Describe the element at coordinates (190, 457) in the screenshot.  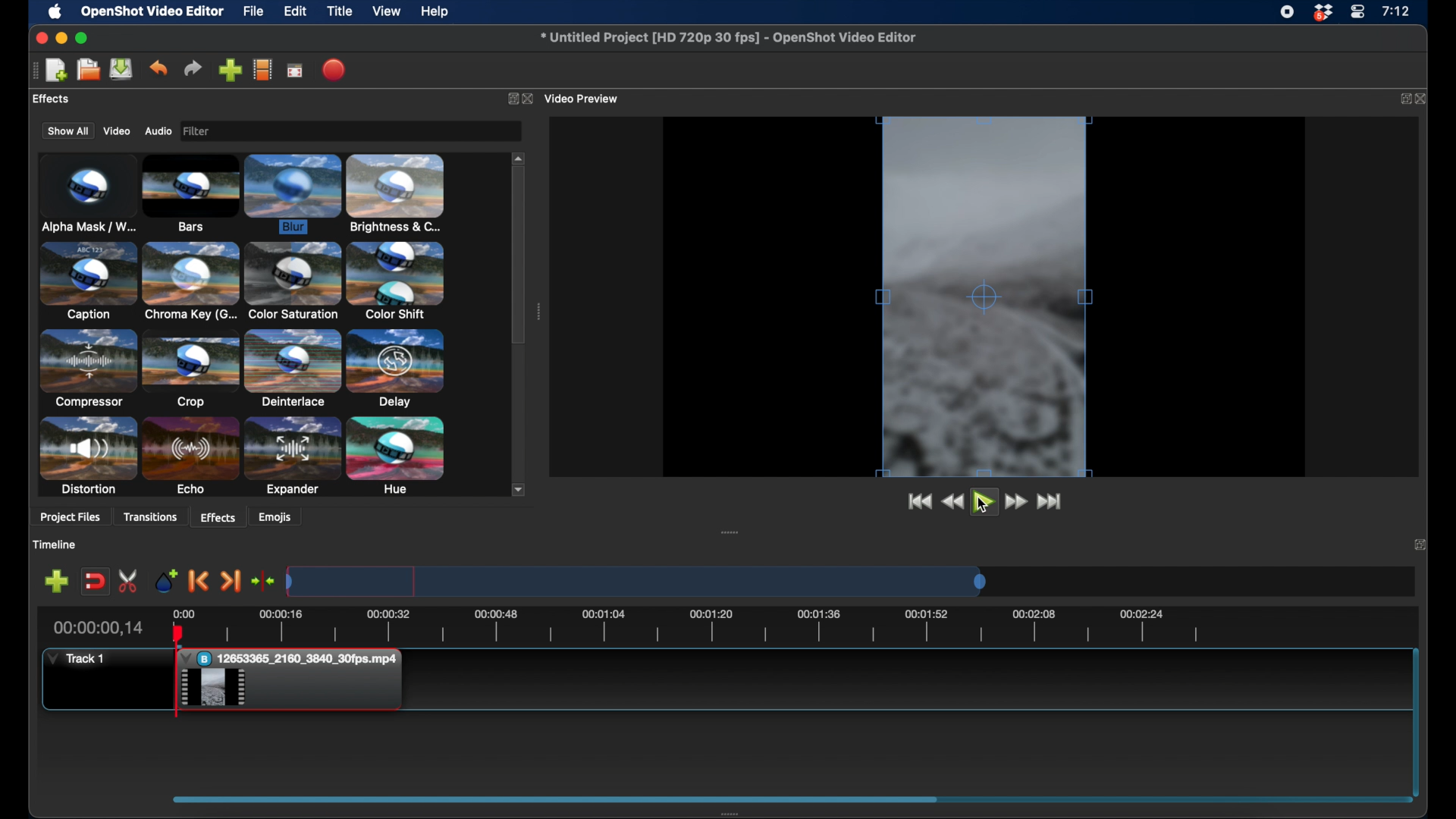
I see `echo` at that location.